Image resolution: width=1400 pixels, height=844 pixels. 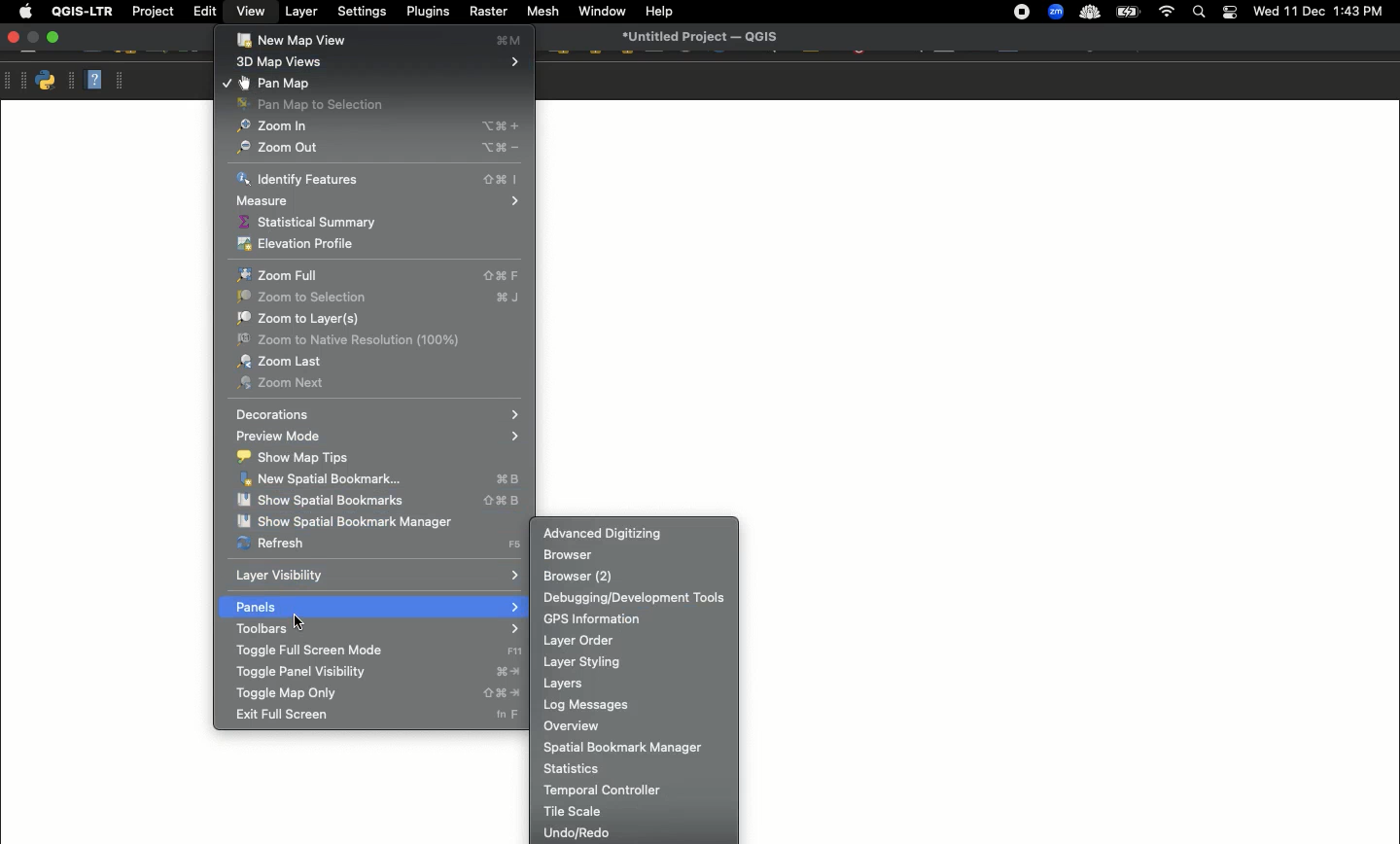 What do you see at coordinates (380, 502) in the screenshot?
I see `Show spatial bookmarks` at bounding box center [380, 502].